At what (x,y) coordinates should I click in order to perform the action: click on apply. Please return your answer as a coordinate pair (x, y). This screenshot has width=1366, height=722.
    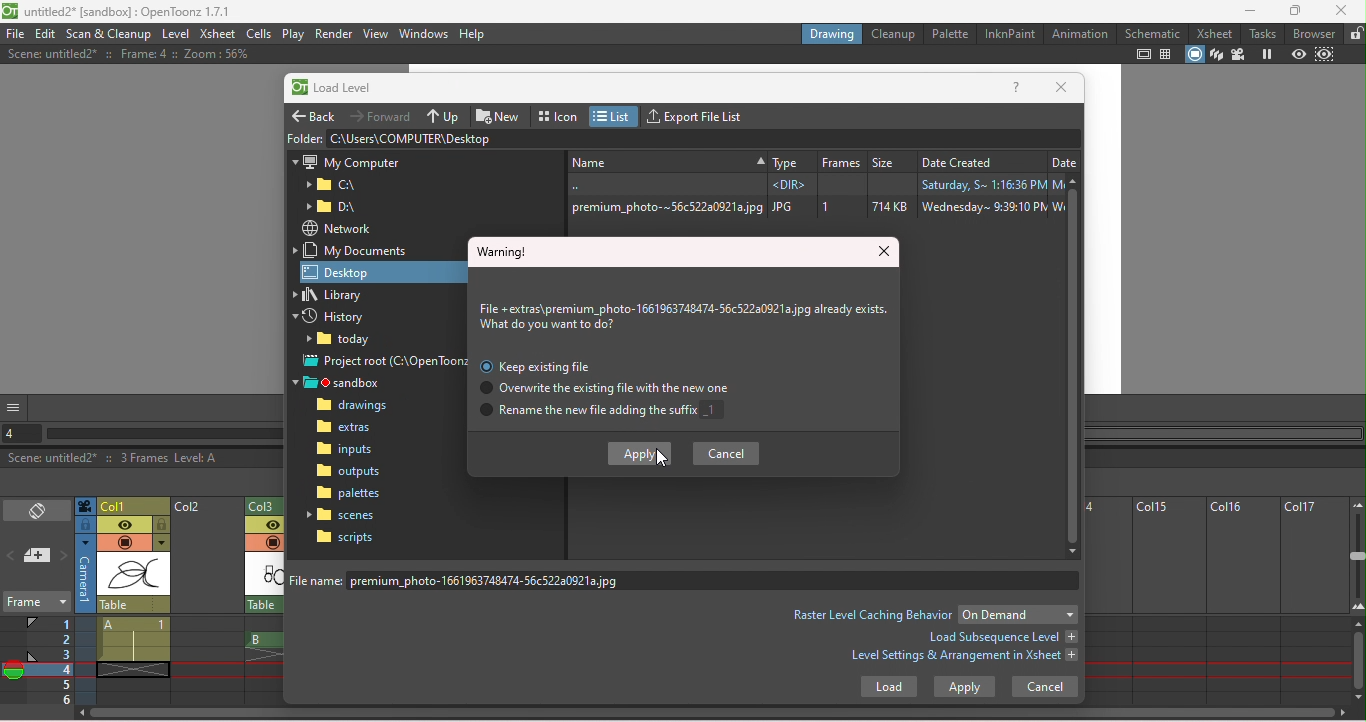
    Looking at the image, I should click on (964, 687).